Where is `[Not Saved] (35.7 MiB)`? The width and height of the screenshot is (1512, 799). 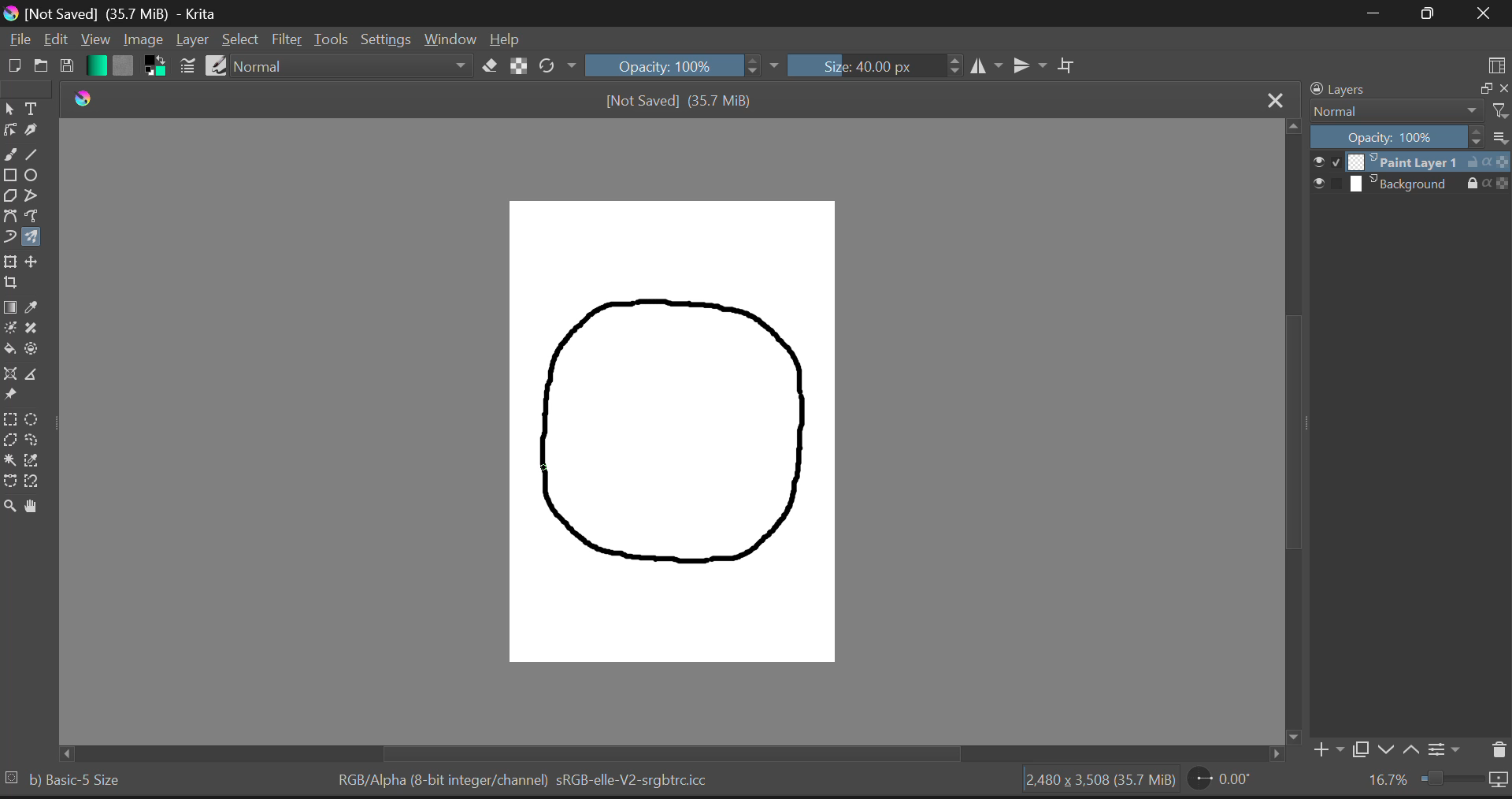 [Not Saved] (35.7 MiB) is located at coordinates (681, 102).